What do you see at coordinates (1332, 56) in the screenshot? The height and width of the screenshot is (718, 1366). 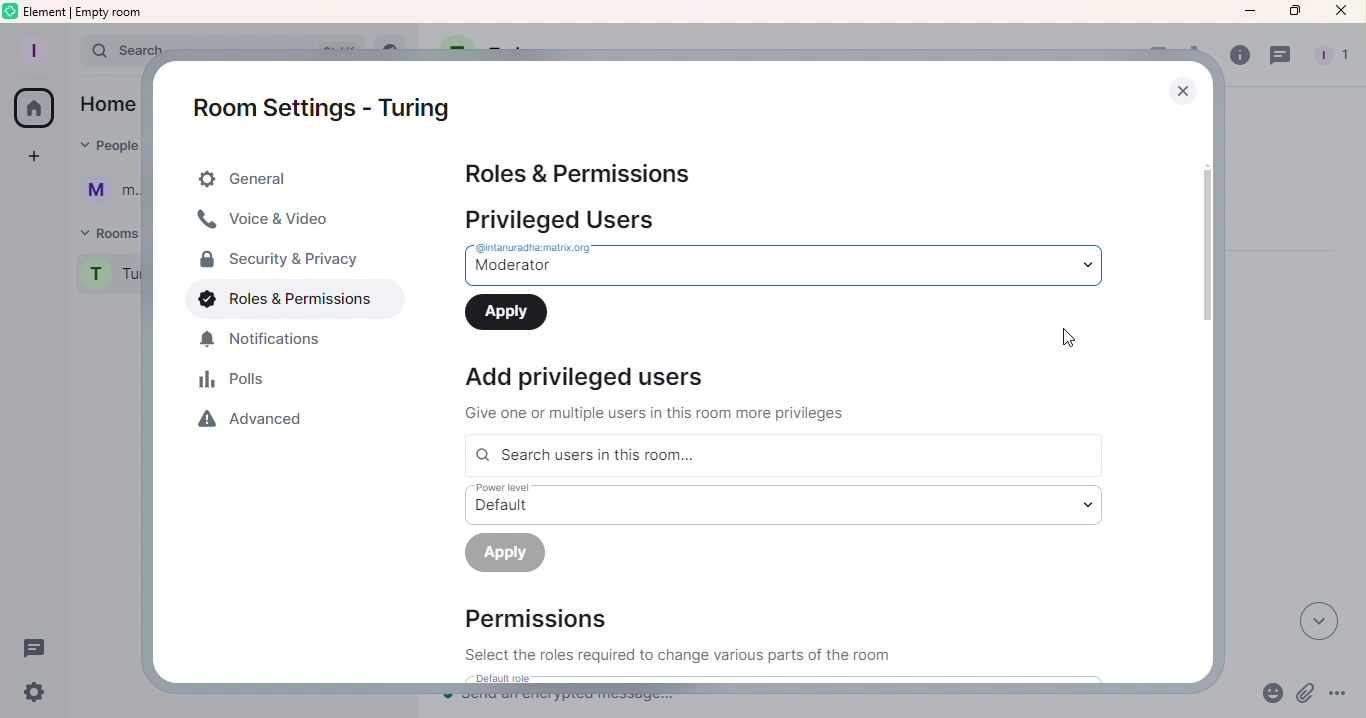 I see `people` at bounding box center [1332, 56].